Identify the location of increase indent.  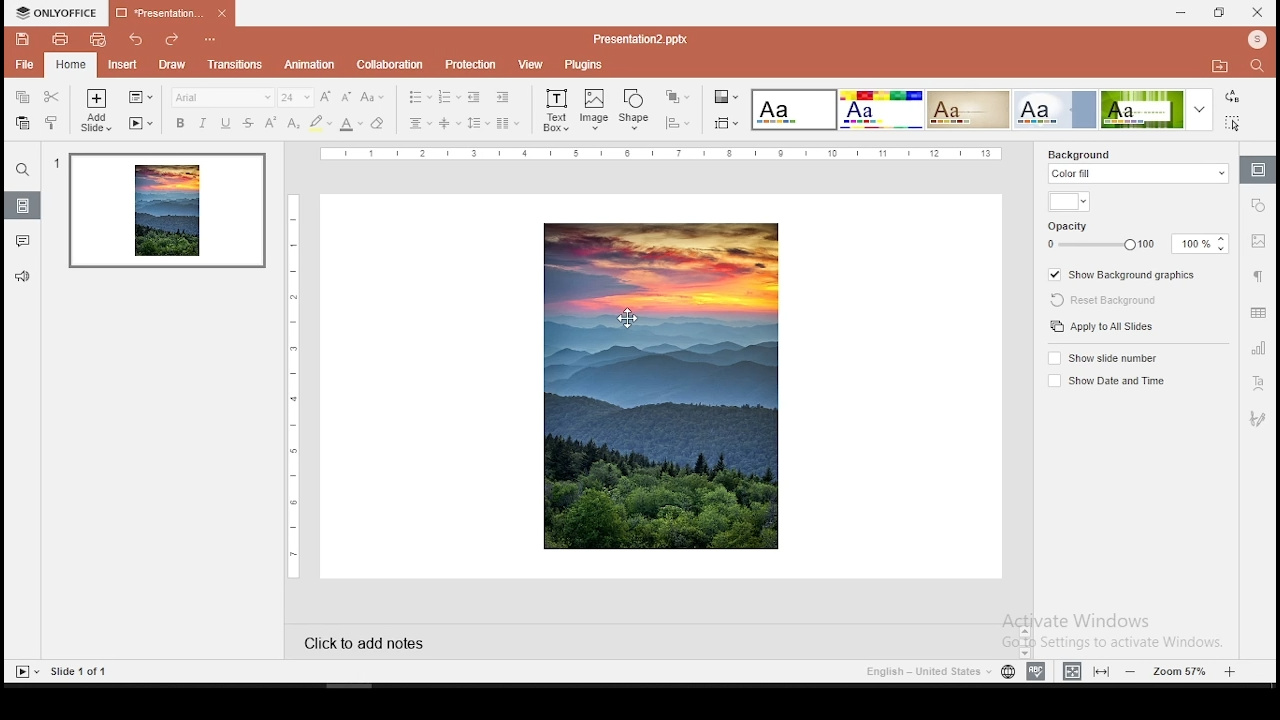
(502, 96).